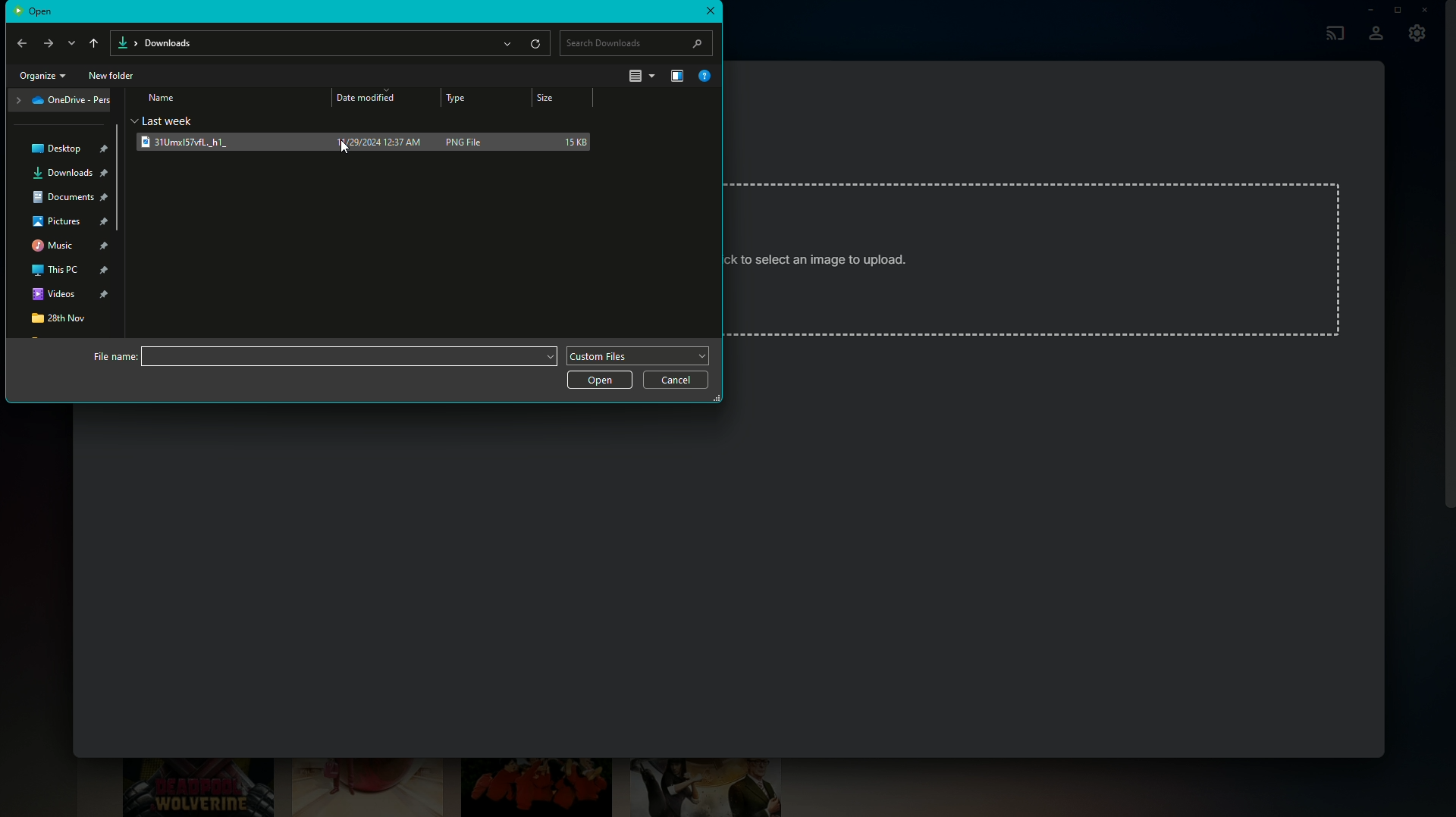  What do you see at coordinates (63, 103) in the screenshot?
I see `OneDrive` at bounding box center [63, 103].